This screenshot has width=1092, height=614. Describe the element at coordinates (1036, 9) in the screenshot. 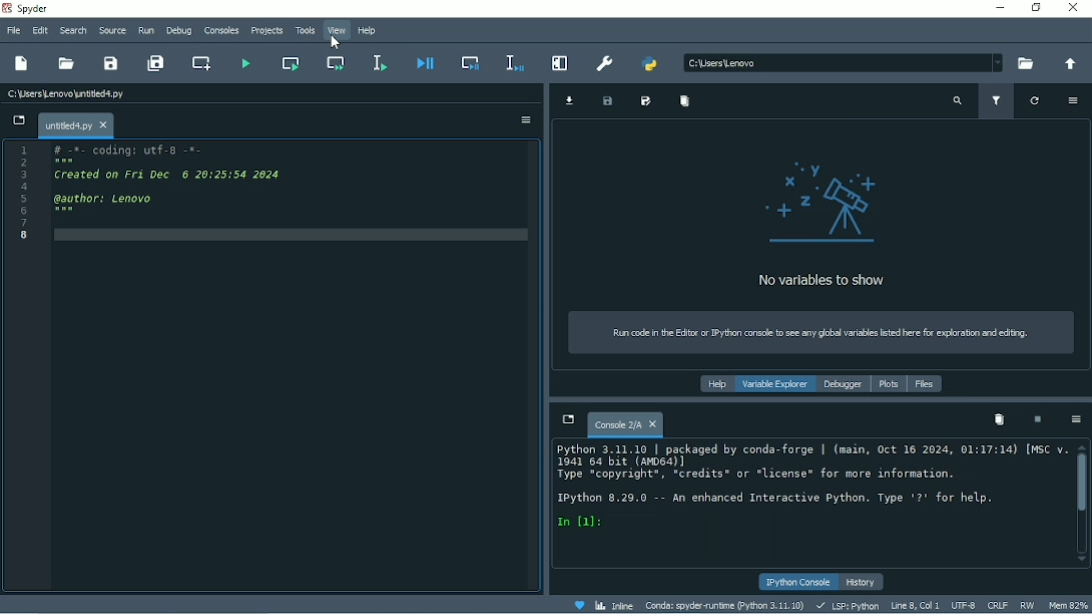

I see `Restore down` at that location.